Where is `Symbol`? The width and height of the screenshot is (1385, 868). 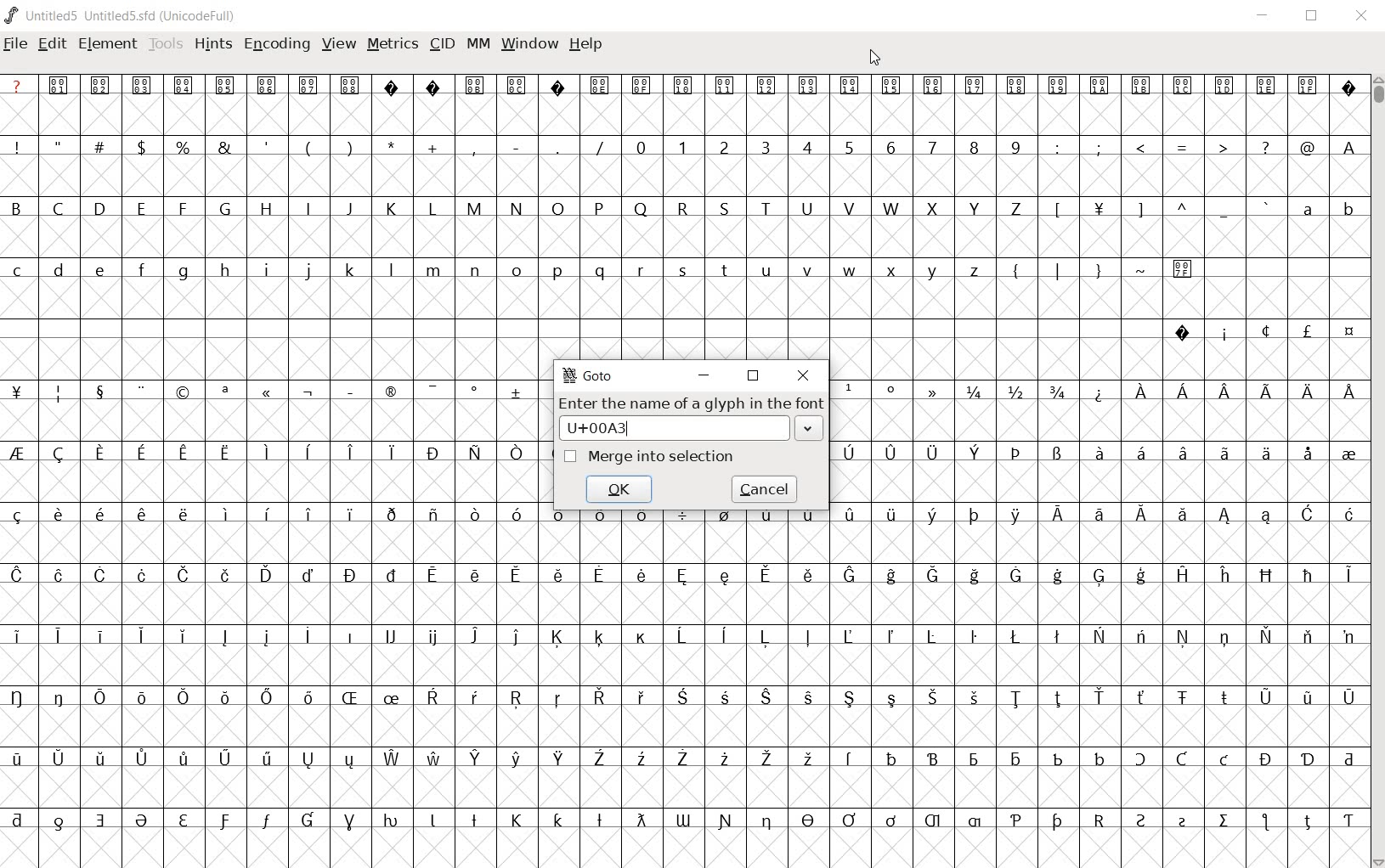
Symbol is located at coordinates (599, 638).